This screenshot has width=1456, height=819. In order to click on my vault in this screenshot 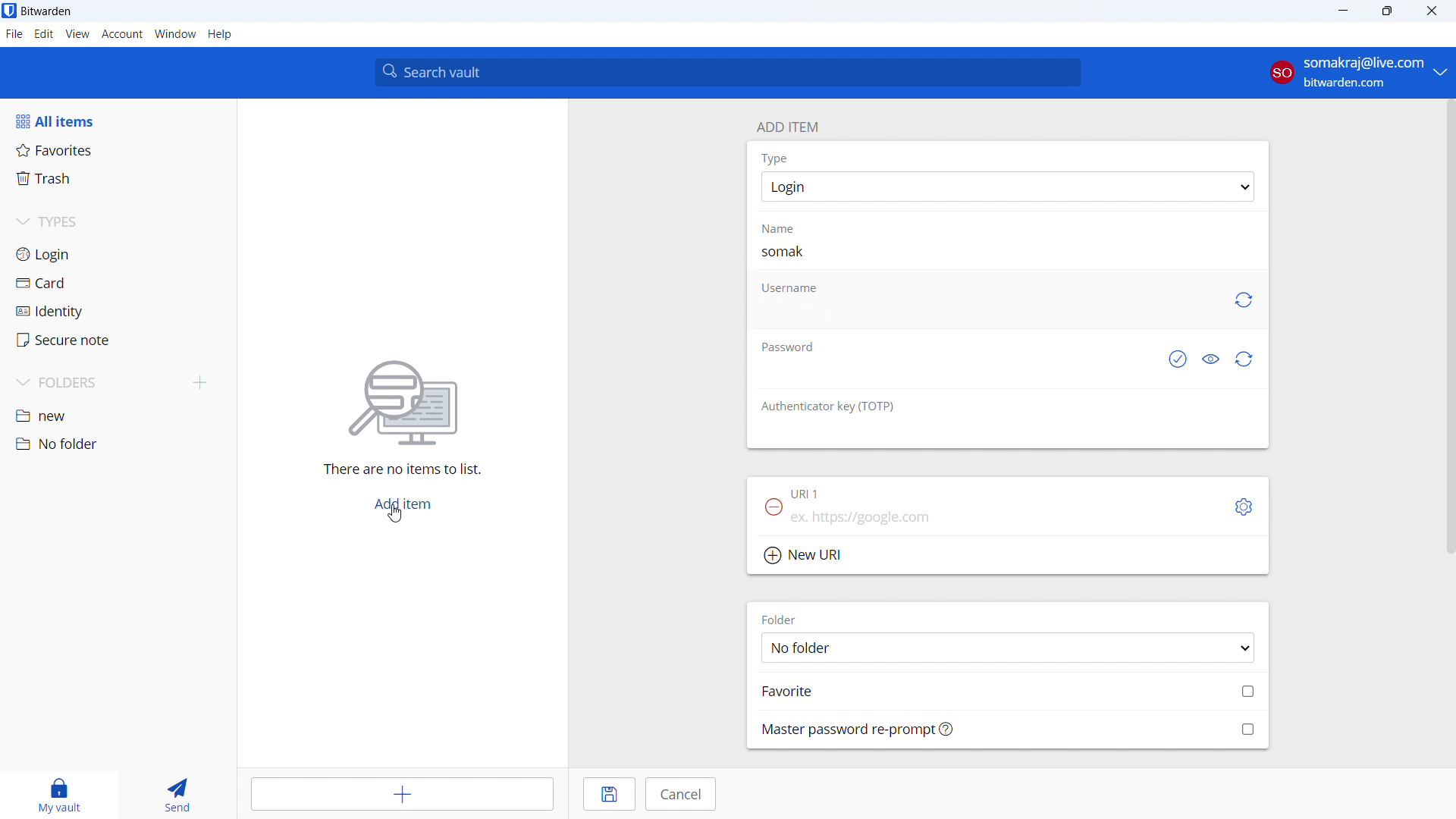, I will do `click(55, 795)`.